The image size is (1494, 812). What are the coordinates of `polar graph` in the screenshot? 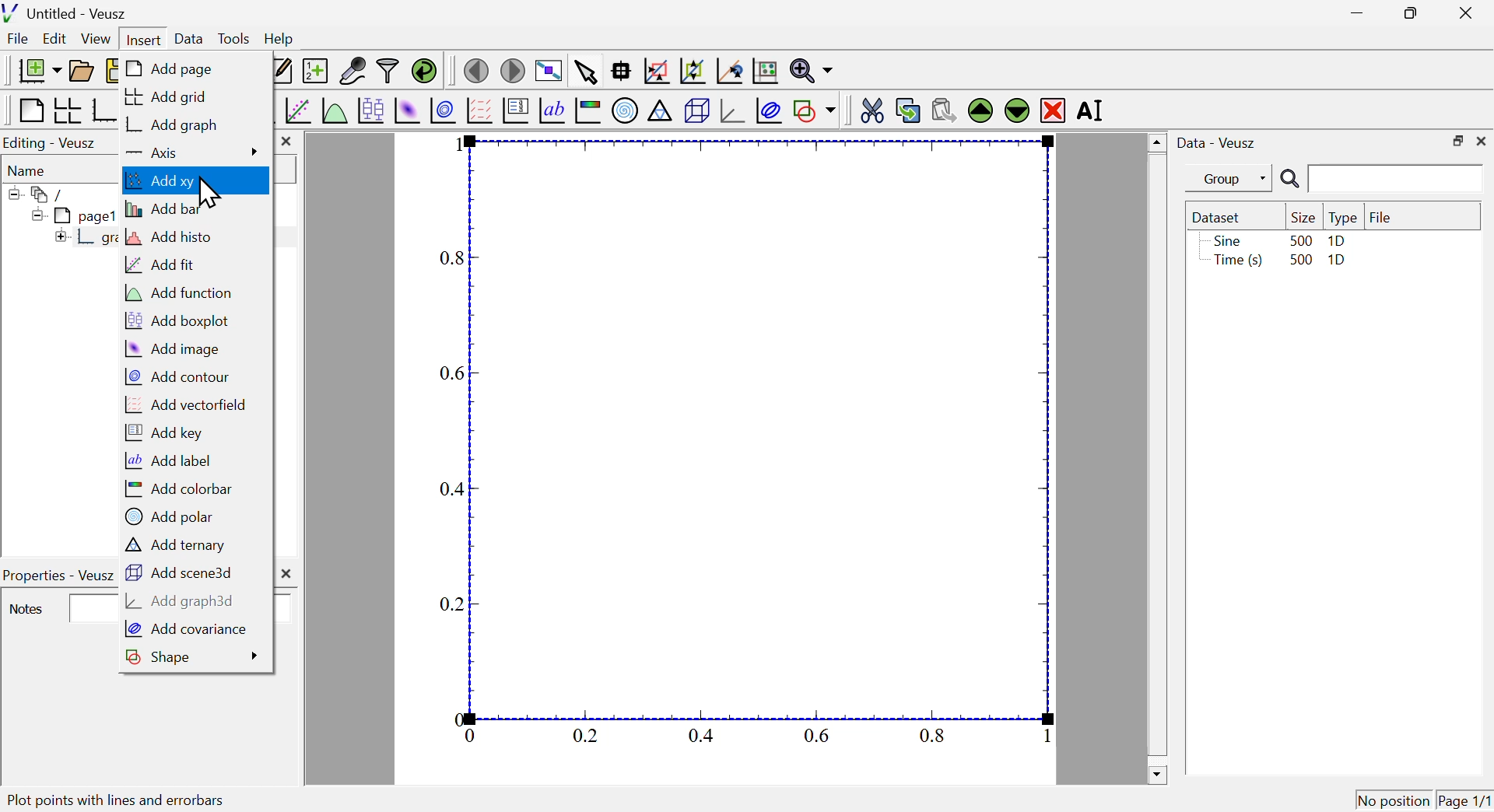 It's located at (626, 111).